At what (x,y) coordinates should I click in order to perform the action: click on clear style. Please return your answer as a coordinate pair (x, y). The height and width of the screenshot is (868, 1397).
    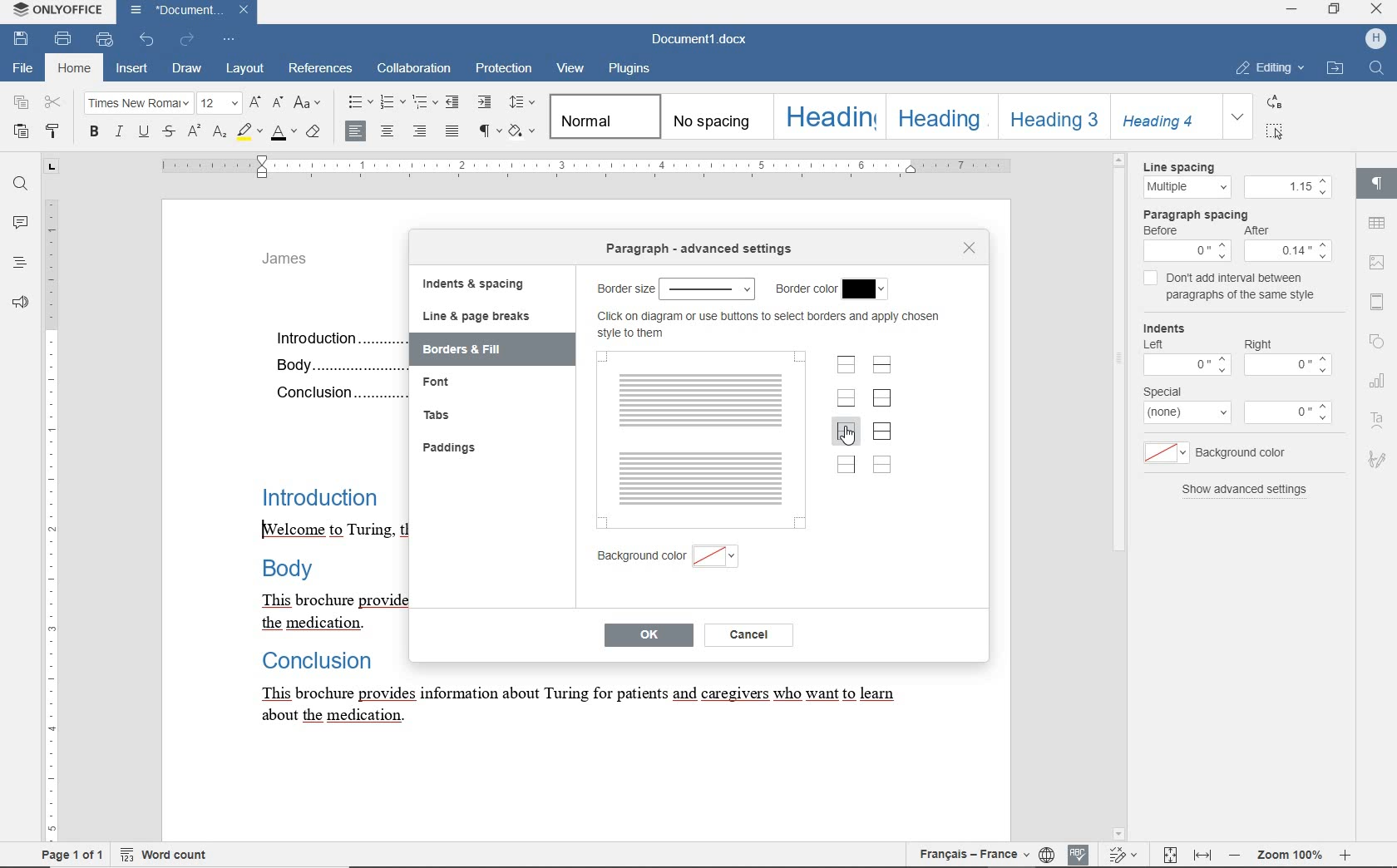
    Looking at the image, I should click on (314, 131).